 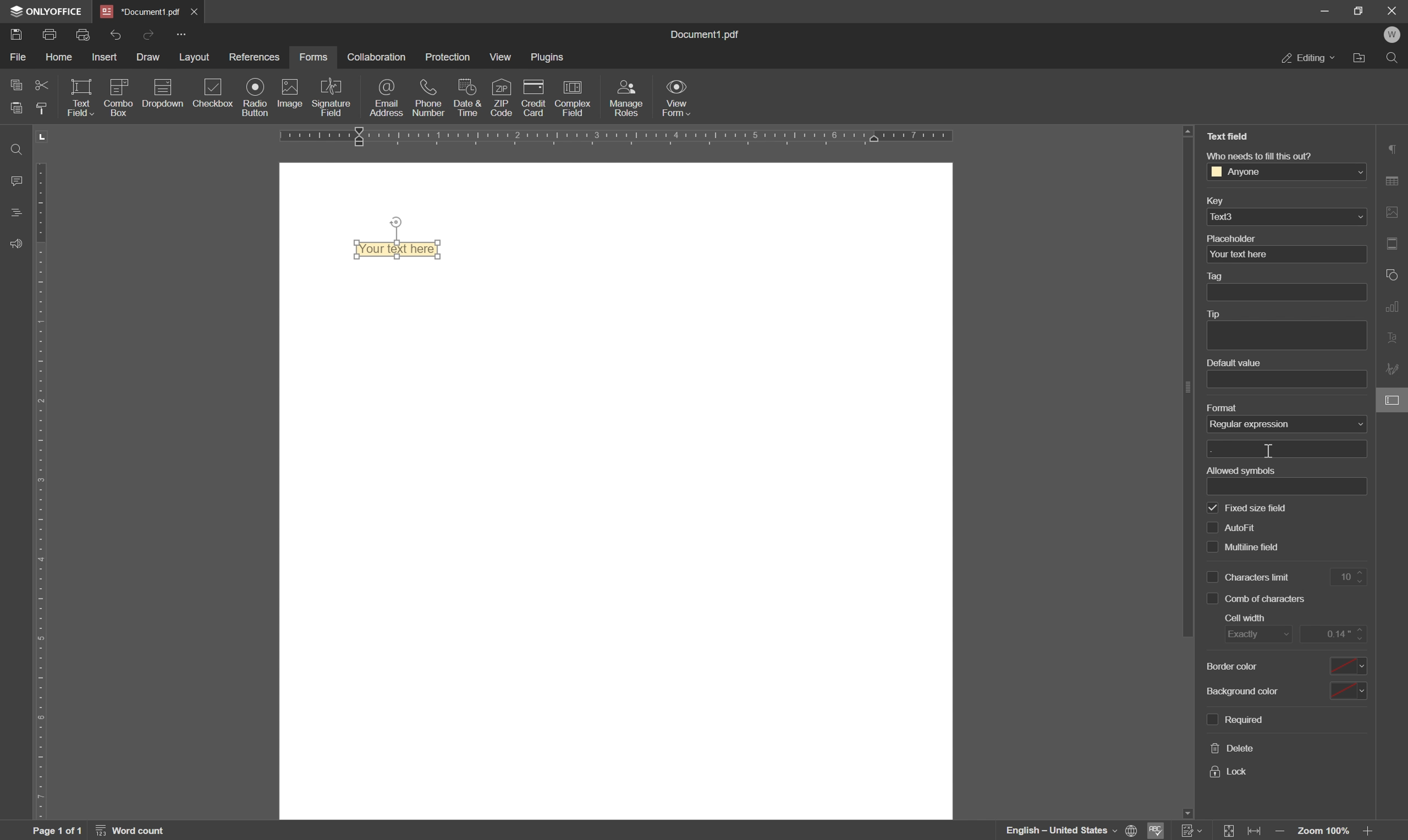 I want to click on signature settings, so click(x=1394, y=370).